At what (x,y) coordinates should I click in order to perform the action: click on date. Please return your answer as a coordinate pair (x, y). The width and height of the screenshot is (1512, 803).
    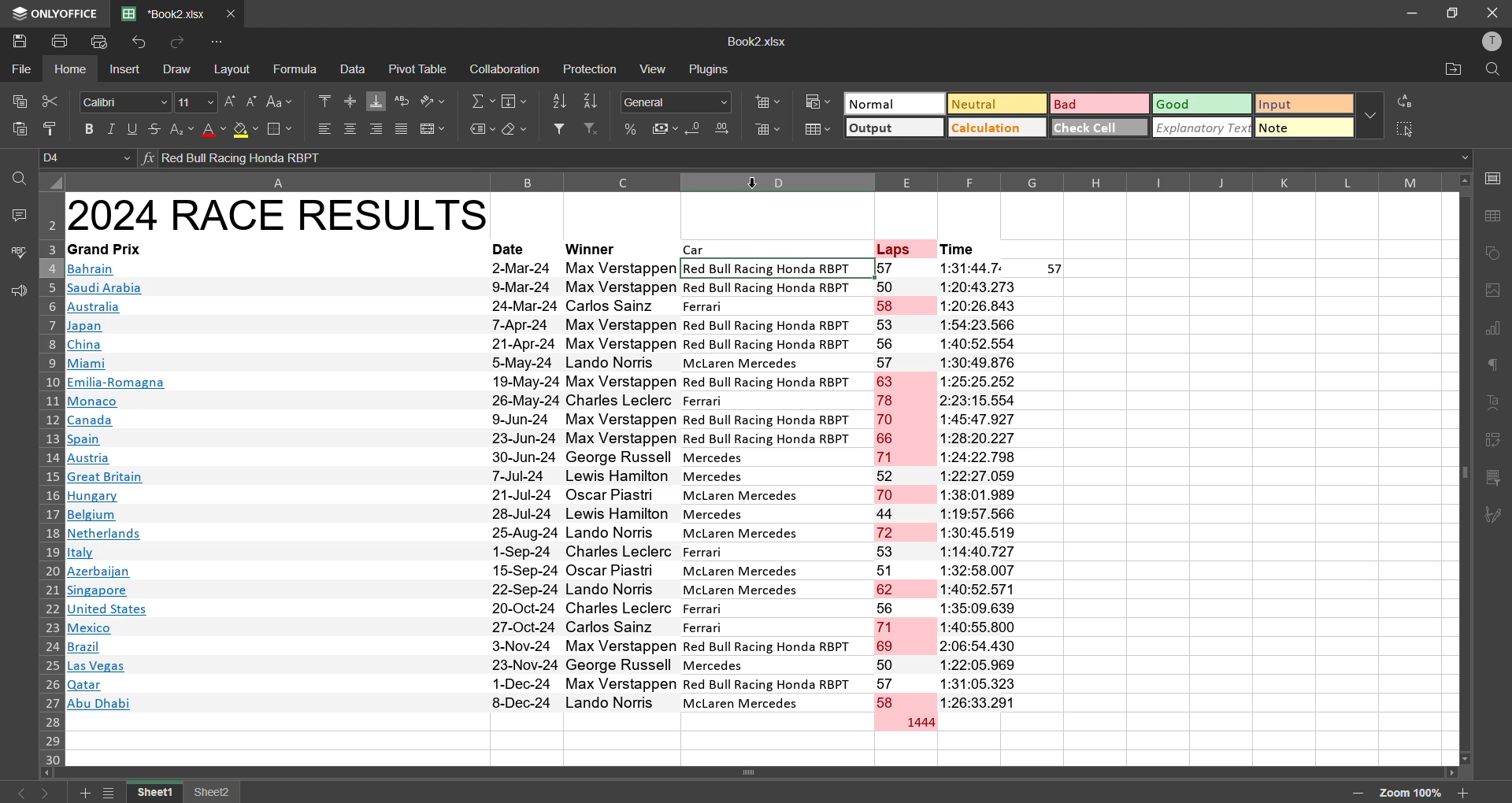
    Looking at the image, I should click on (524, 486).